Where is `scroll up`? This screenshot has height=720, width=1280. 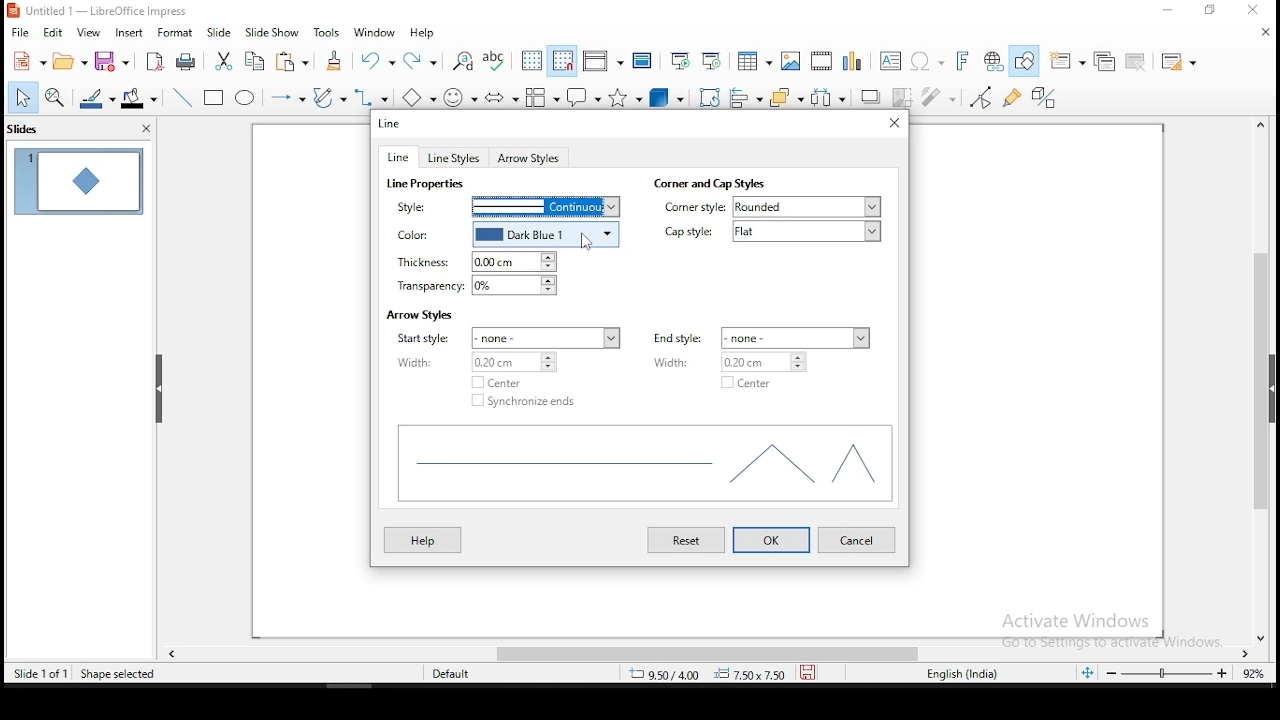 scroll up is located at coordinates (1253, 125).